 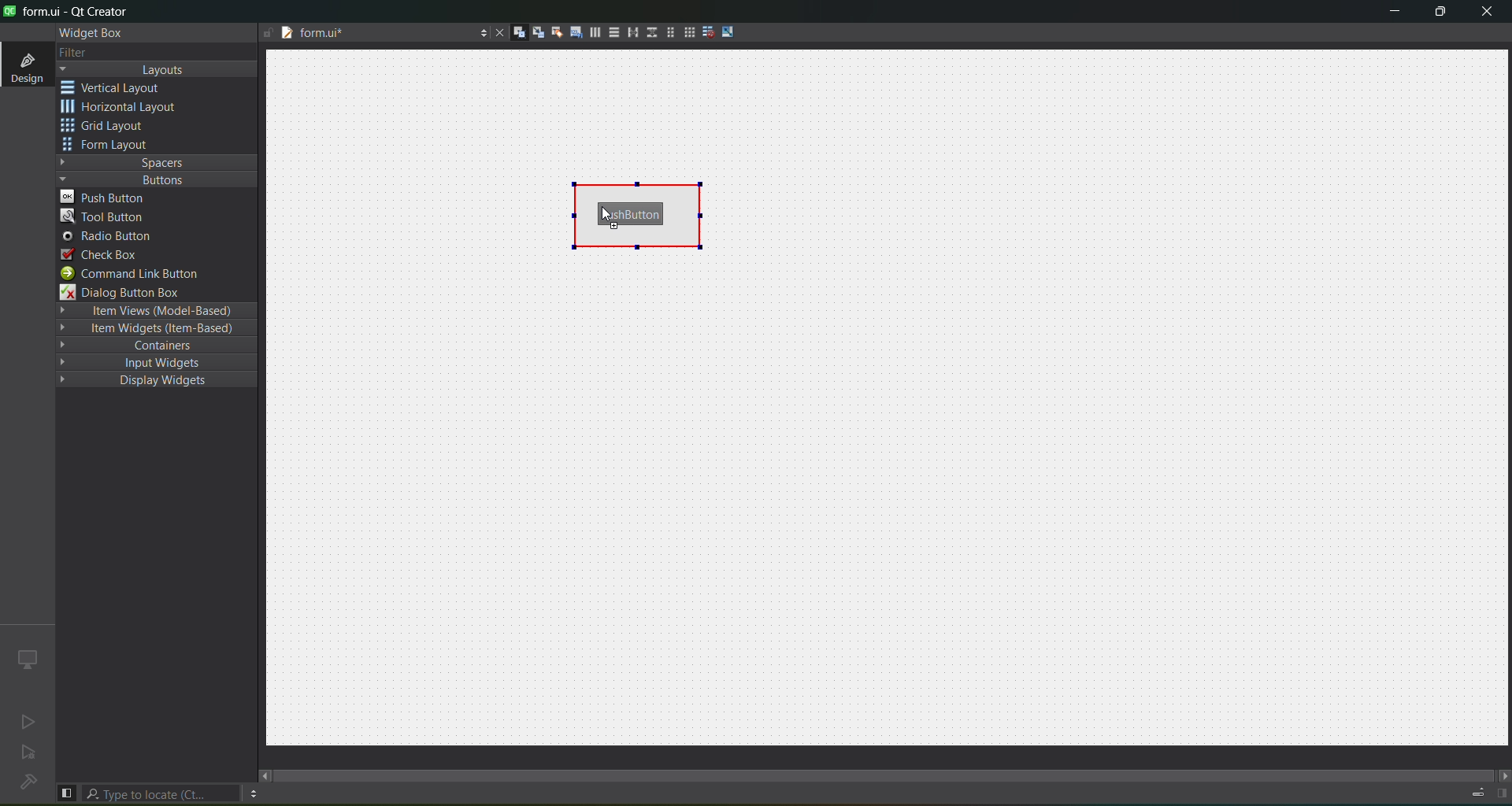 I want to click on cursor, so click(x=195, y=204).